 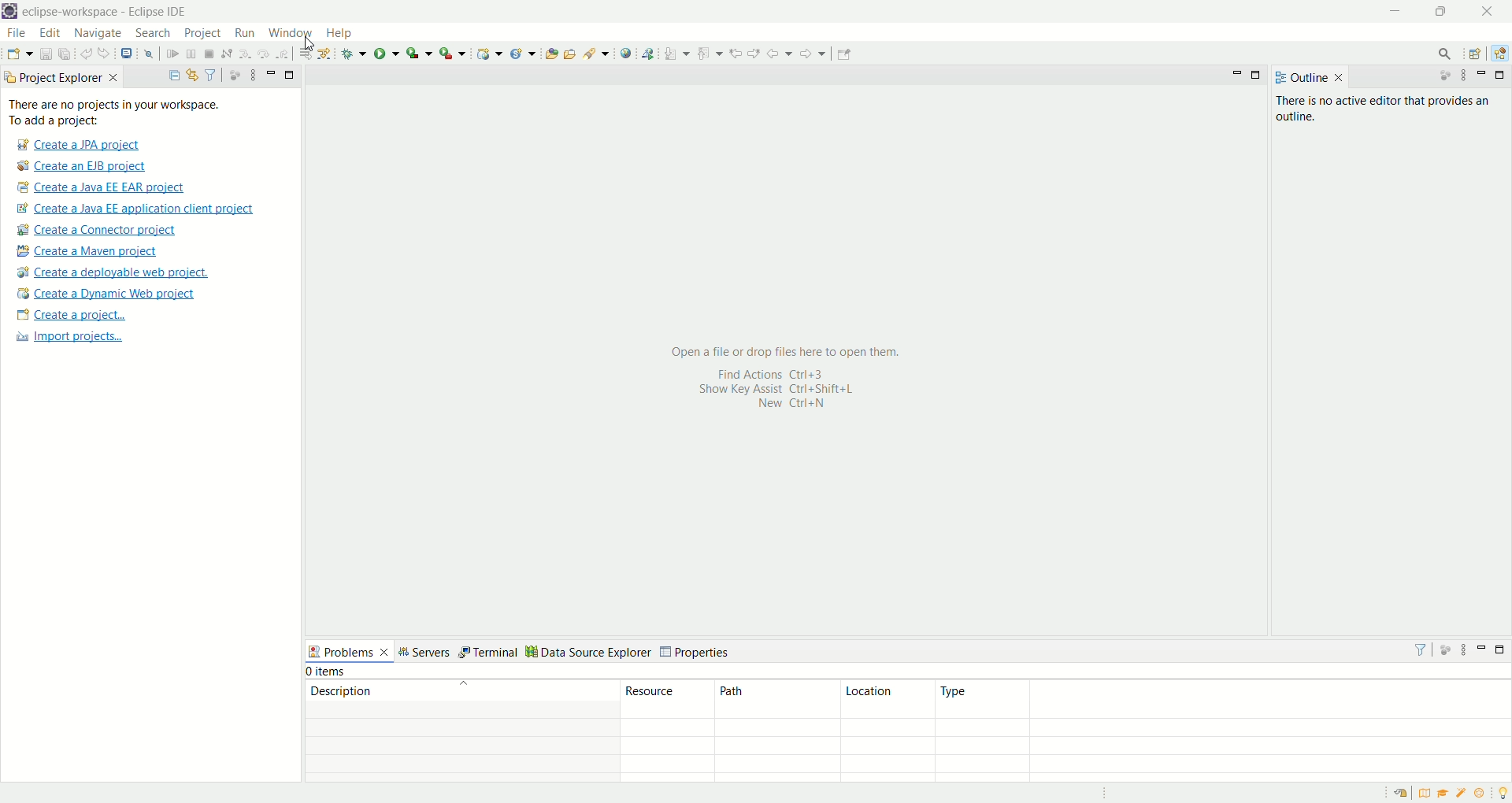 I want to click on run last tool, so click(x=450, y=53).